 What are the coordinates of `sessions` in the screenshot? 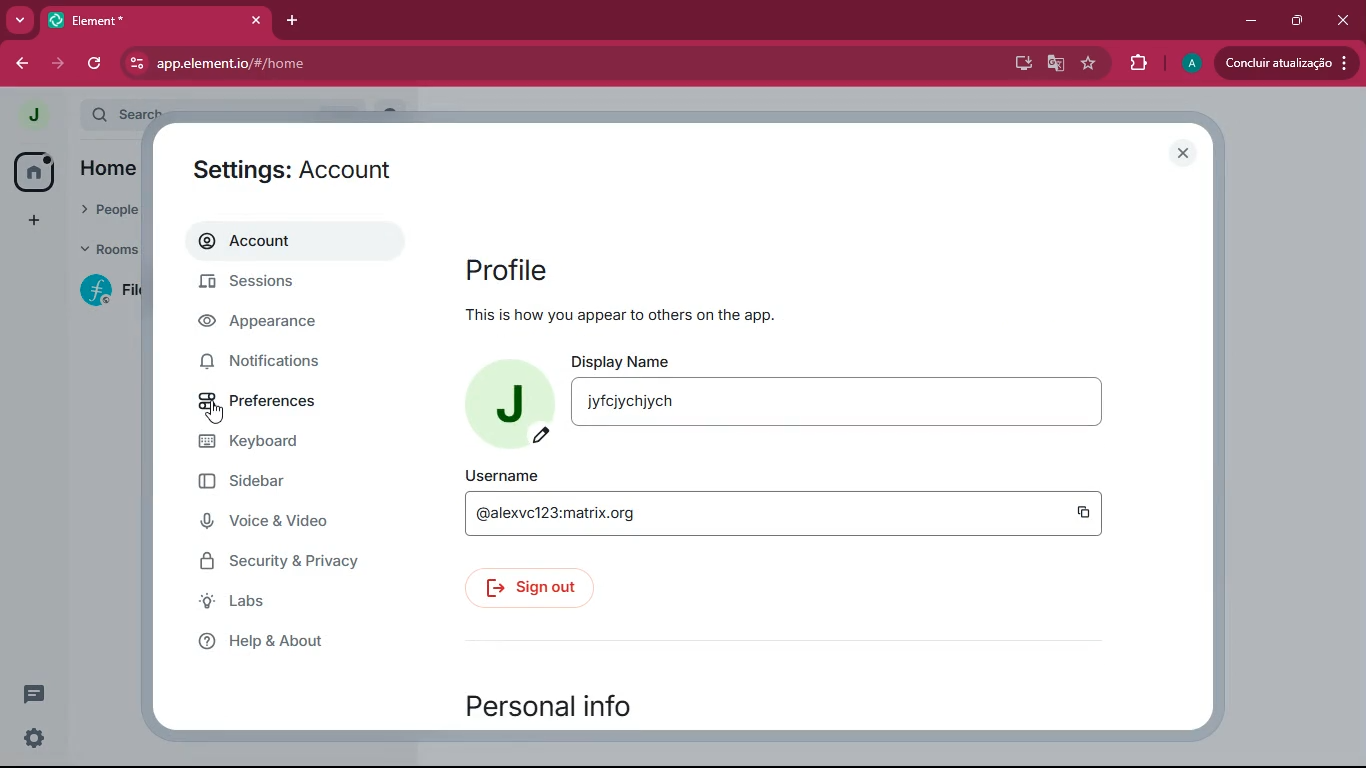 It's located at (279, 283).